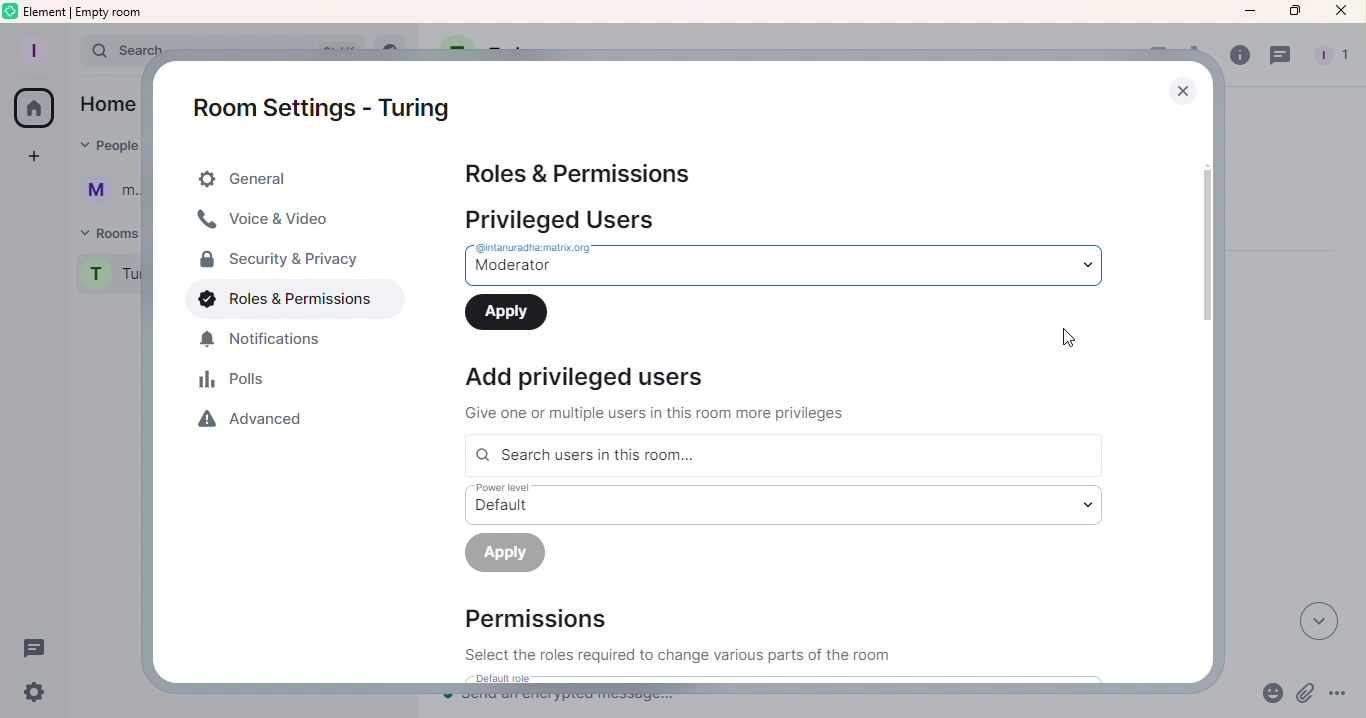 The height and width of the screenshot is (718, 1366). Describe the element at coordinates (569, 220) in the screenshot. I see `Privileged users` at that location.